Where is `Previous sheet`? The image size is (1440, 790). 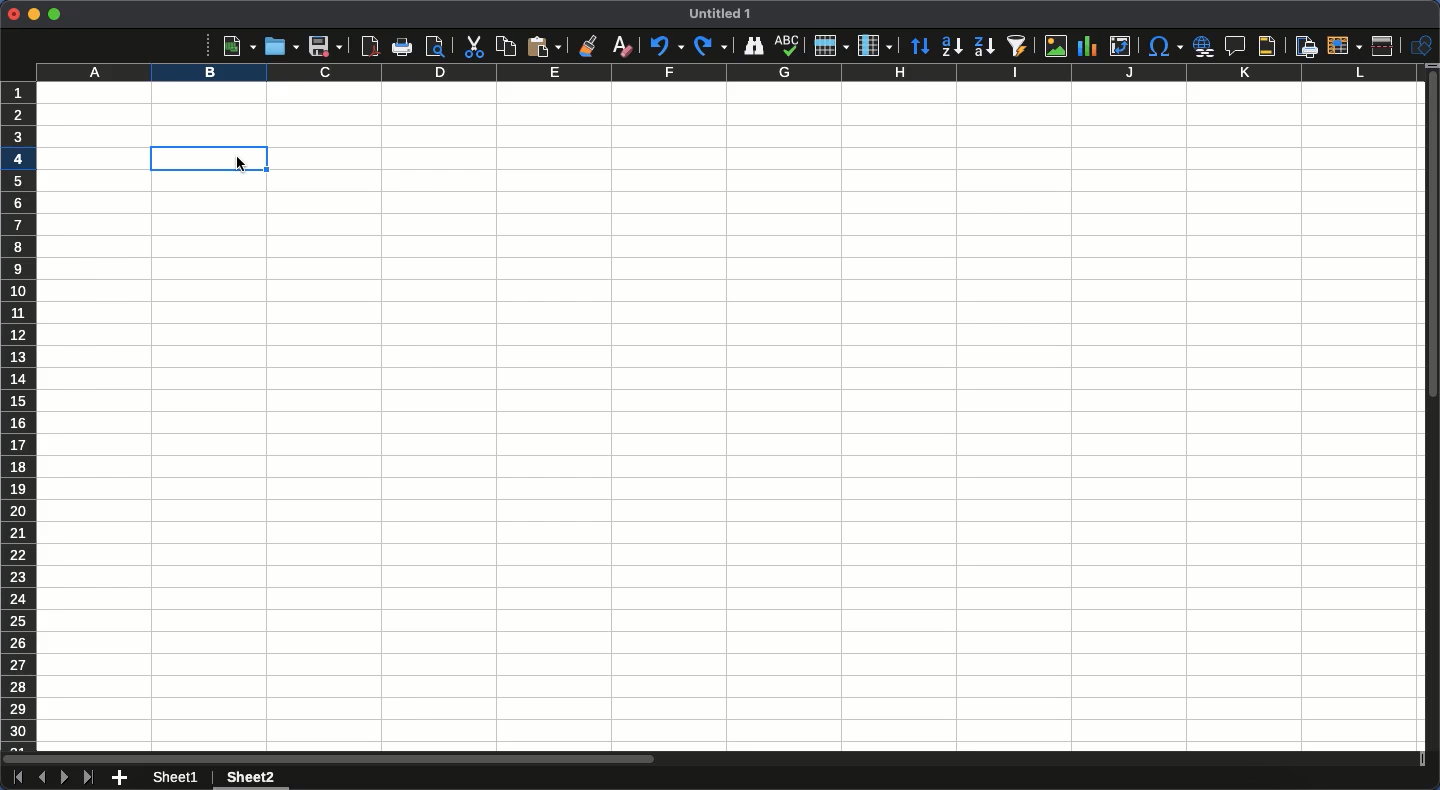 Previous sheet is located at coordinates (41, 777).